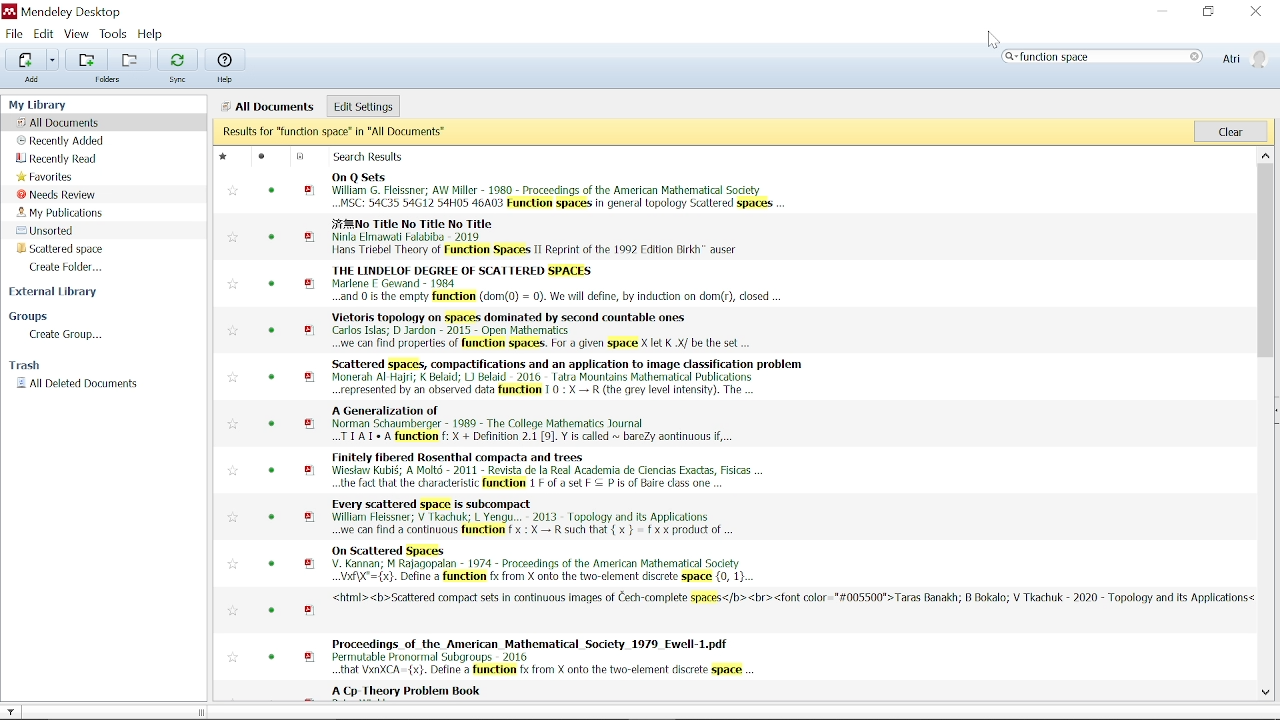 Image resolution: width=1280 pixels, height=720 pixels. I want to click on Mendeley desktop, so click(71, 12).